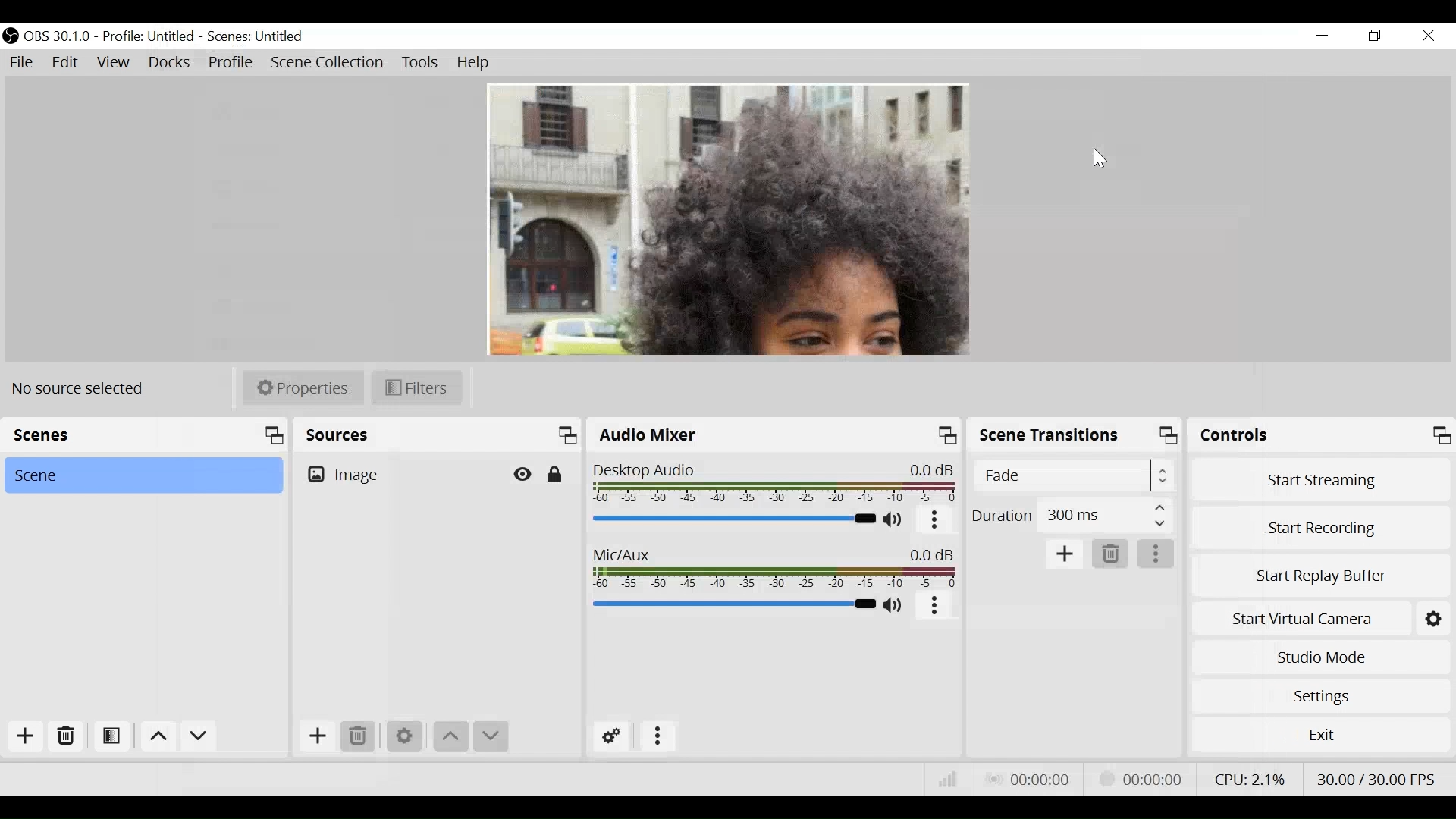  What do you see at coordinates (438, 437) in the screenshot?
I see `Sources` at bounding box center [438, 437].